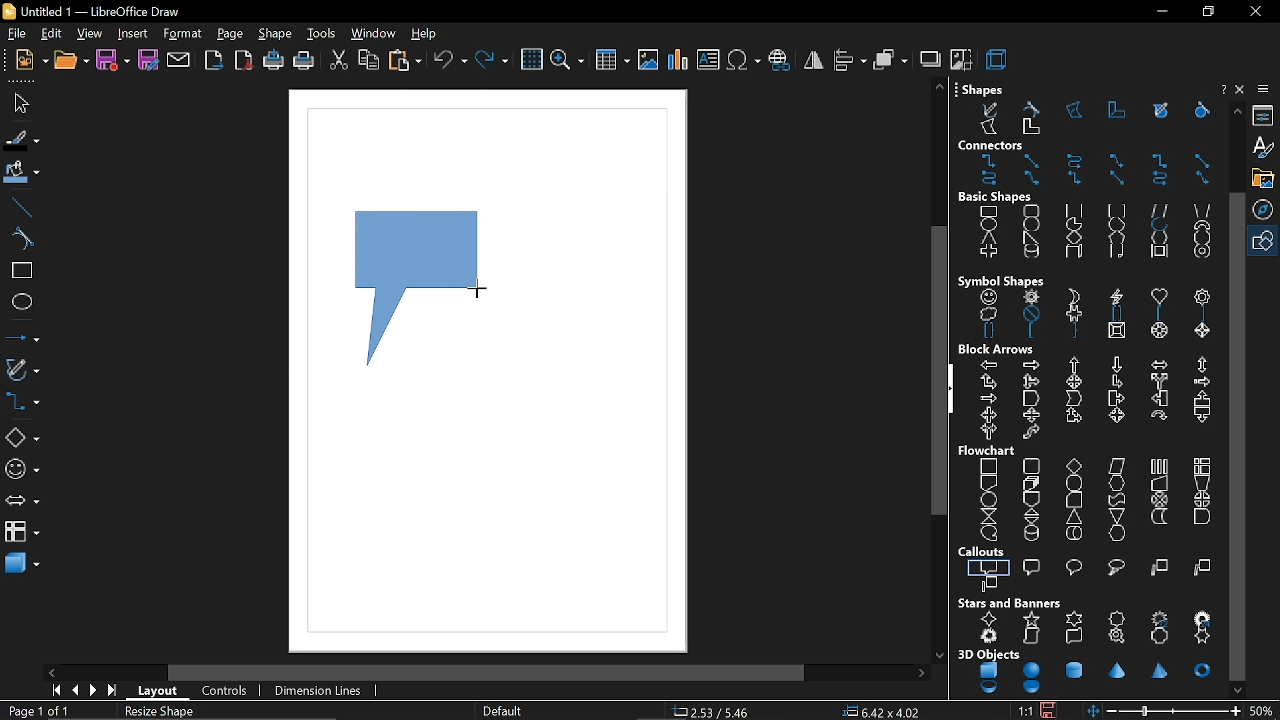 This screenshot has width=1280, height=720. What do you see at coordinates (676, 60) in the screenshot?
I see `insert chart` at bounding box center [676, 60].